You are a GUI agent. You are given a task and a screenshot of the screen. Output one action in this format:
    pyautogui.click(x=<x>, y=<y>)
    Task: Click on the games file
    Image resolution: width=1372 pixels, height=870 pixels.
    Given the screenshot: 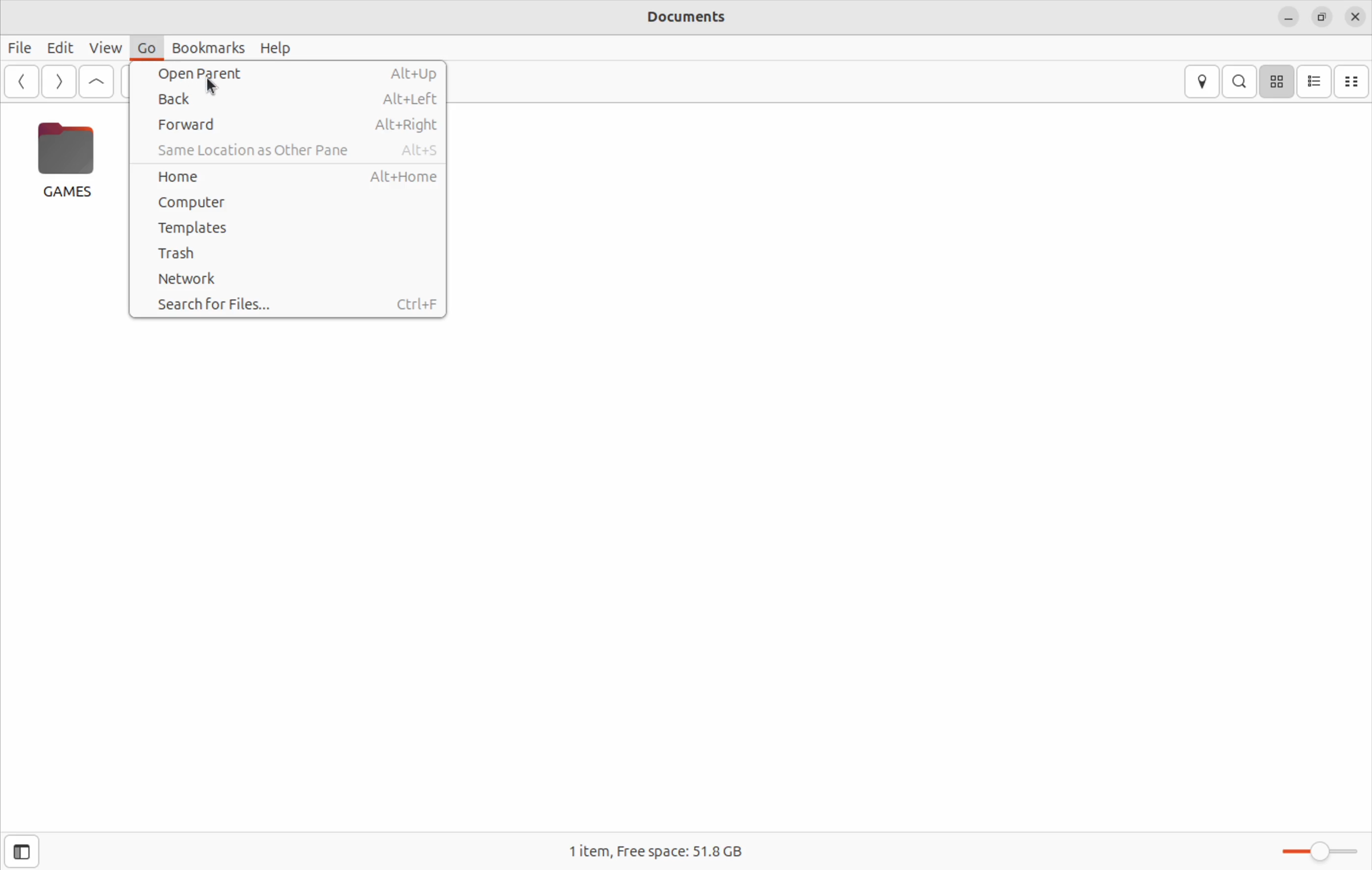 What is the action you would take?
    pyautogui.click(x=70, y=162)
    